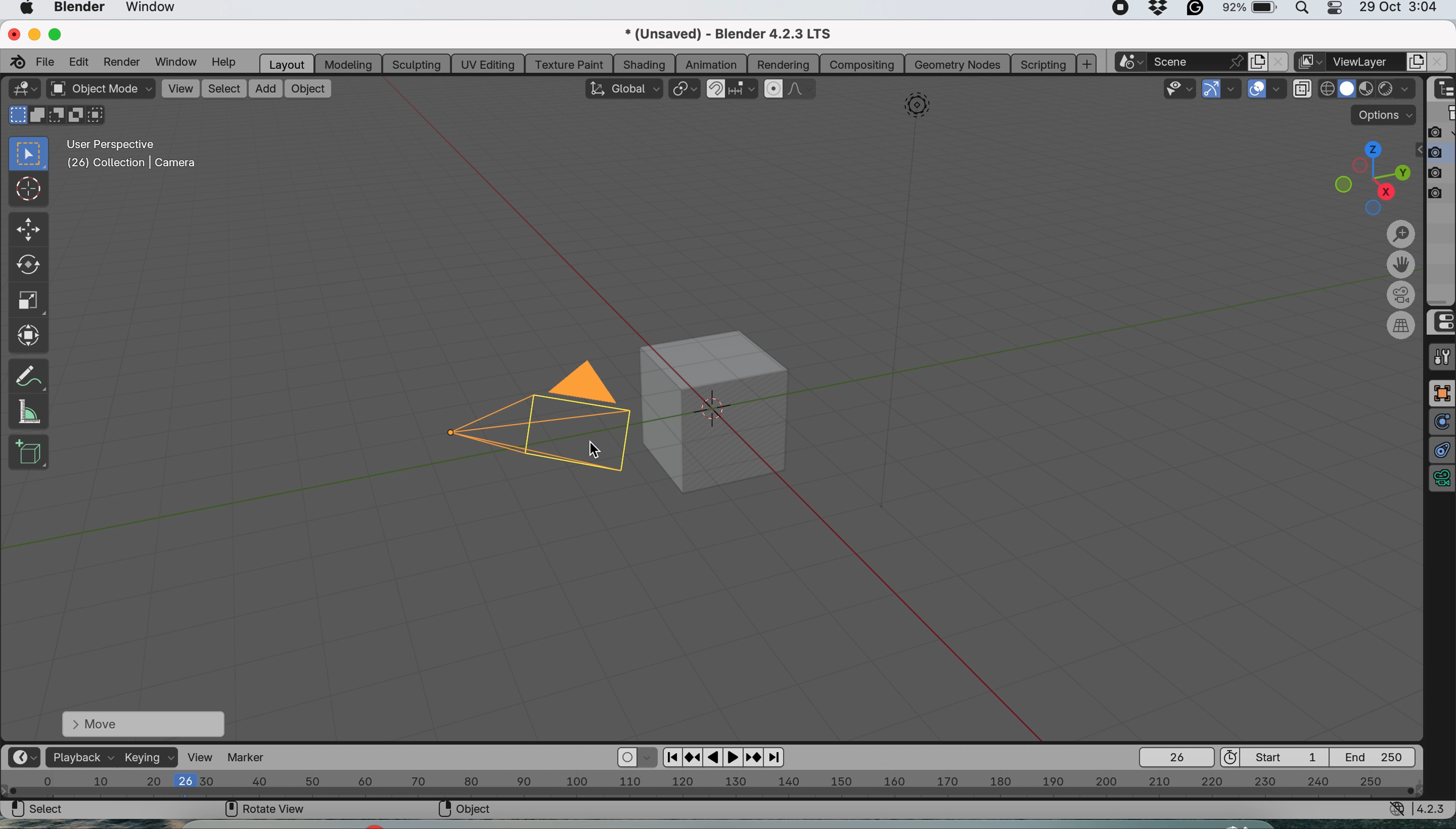  I want to click on play, so click(735, 757).